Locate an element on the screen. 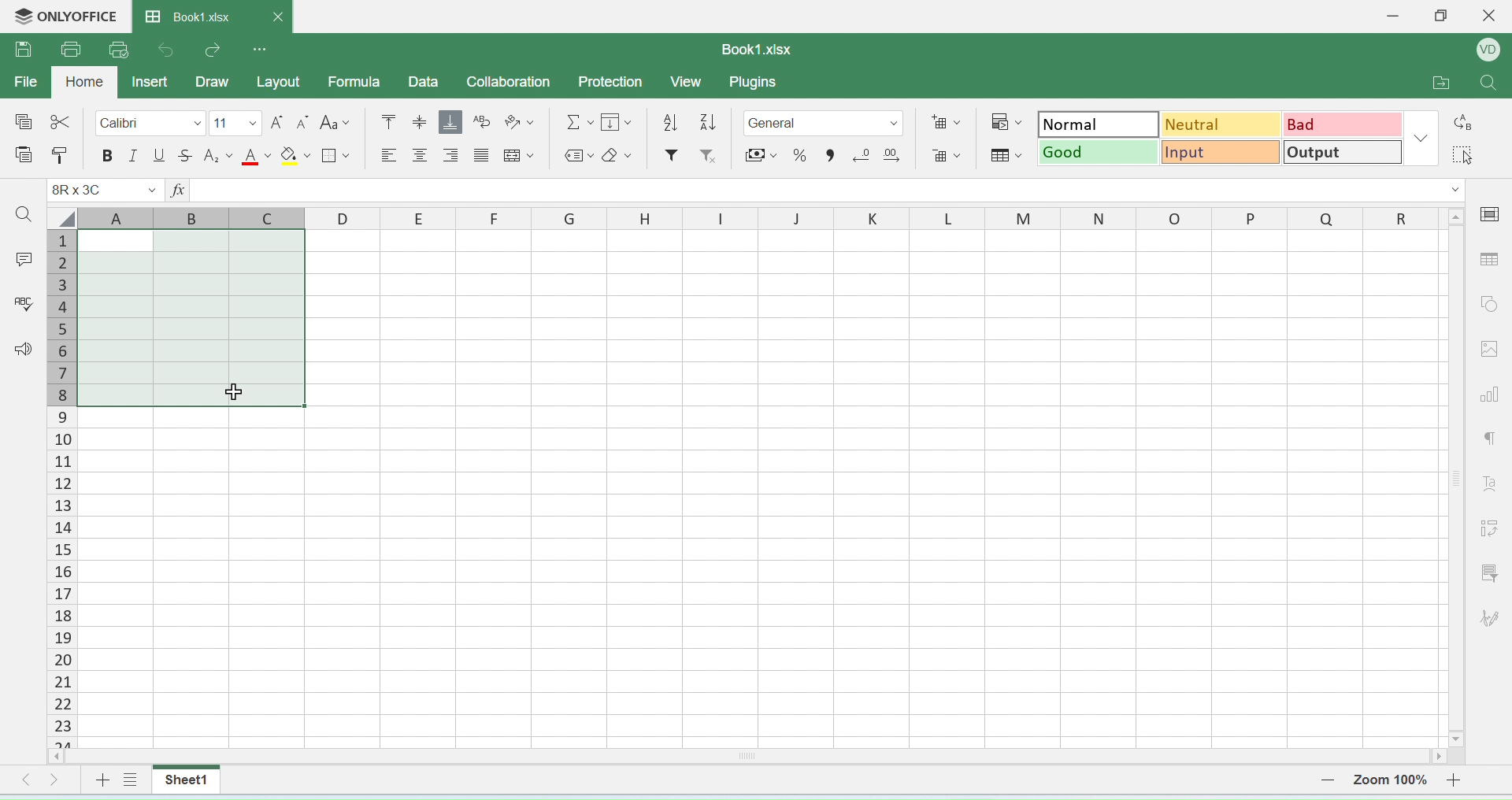 The image size is (1512, 800). formula is located at coordinates (358, 82).